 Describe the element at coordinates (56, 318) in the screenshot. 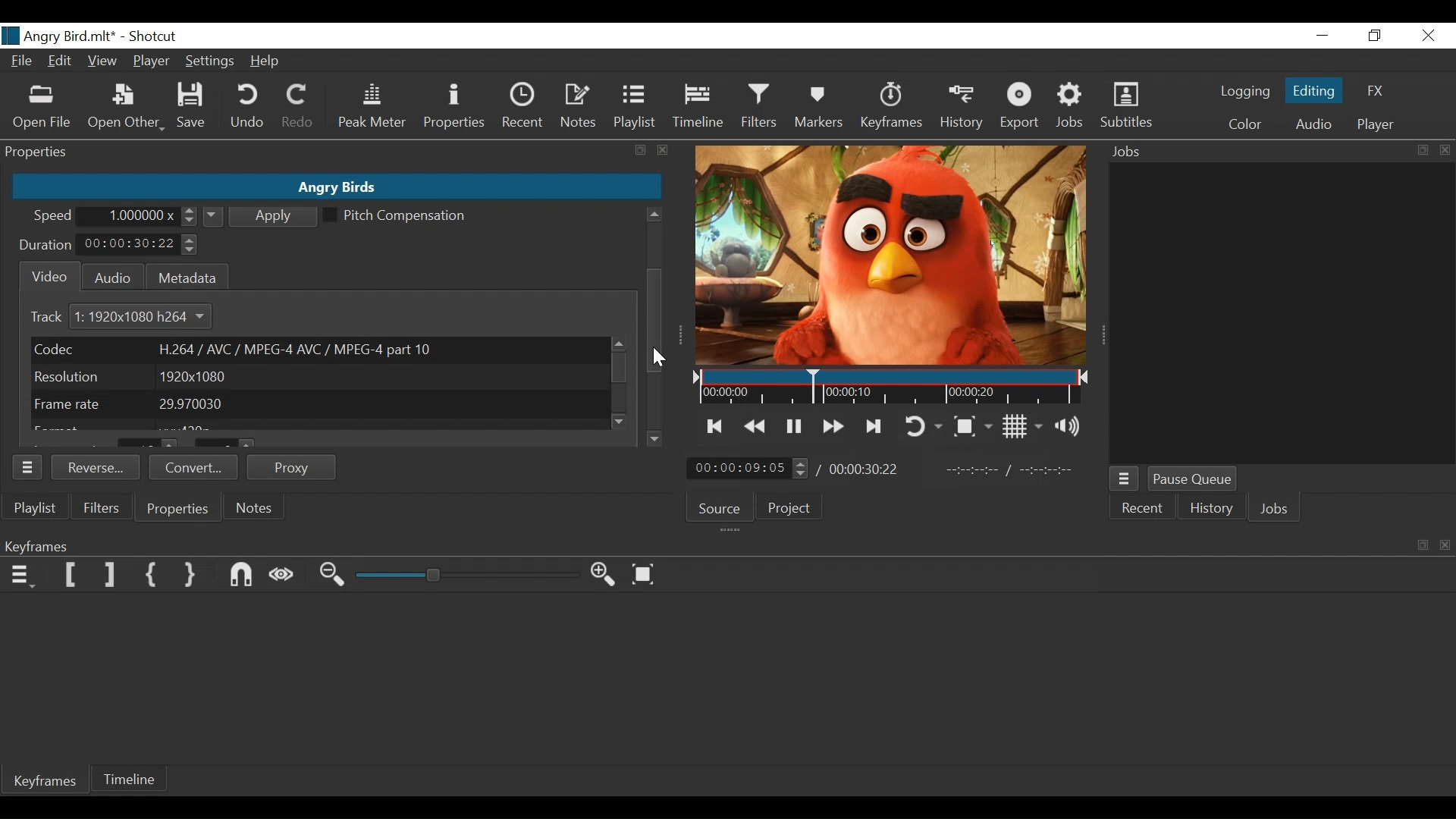

I see `Track 1` at that location.